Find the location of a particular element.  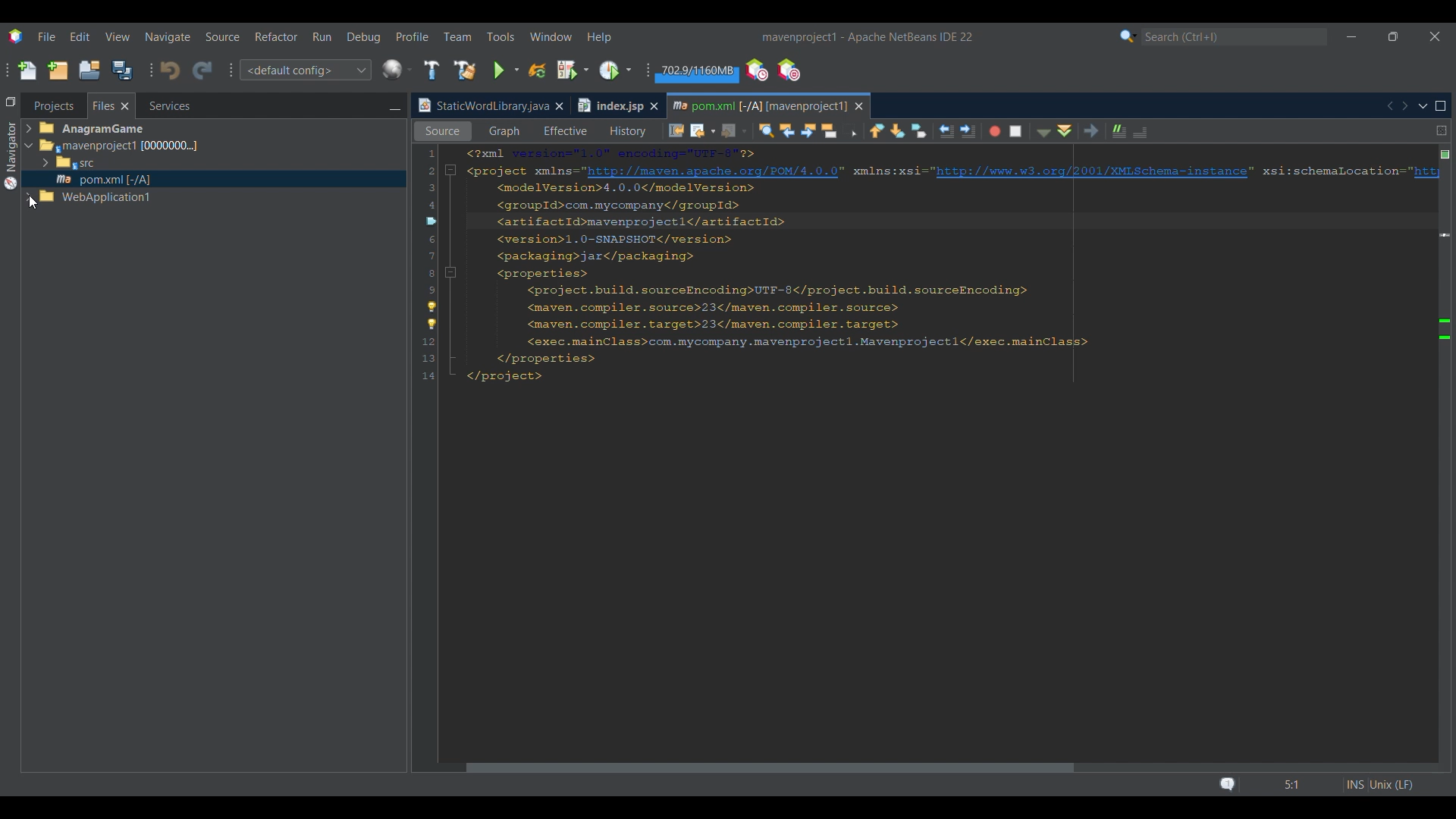

Project name added is located at coordinates (867, 37).